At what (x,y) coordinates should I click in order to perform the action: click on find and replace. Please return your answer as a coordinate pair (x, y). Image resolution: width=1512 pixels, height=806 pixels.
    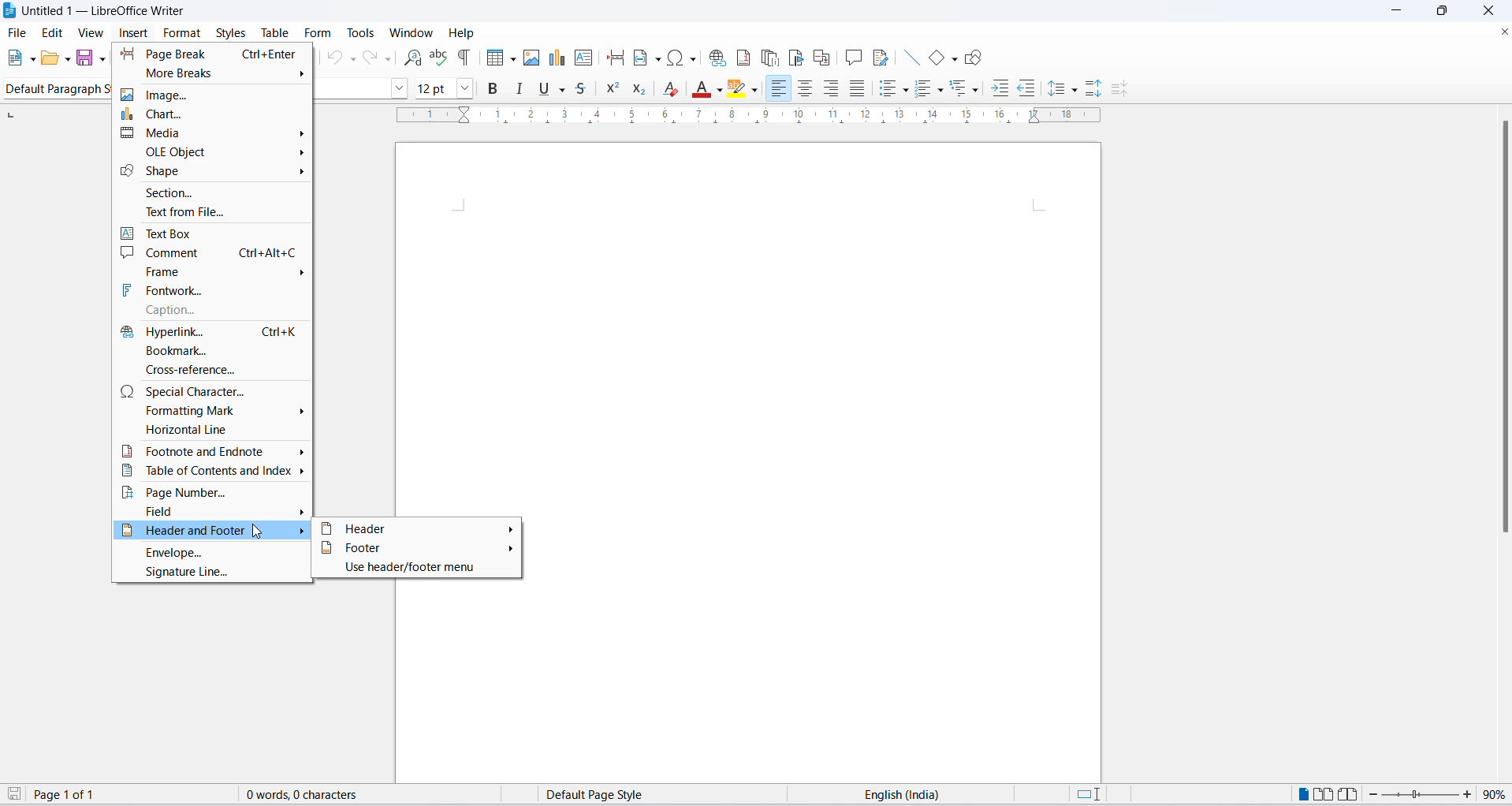
    Looking at the image, I should click on (410, 58).